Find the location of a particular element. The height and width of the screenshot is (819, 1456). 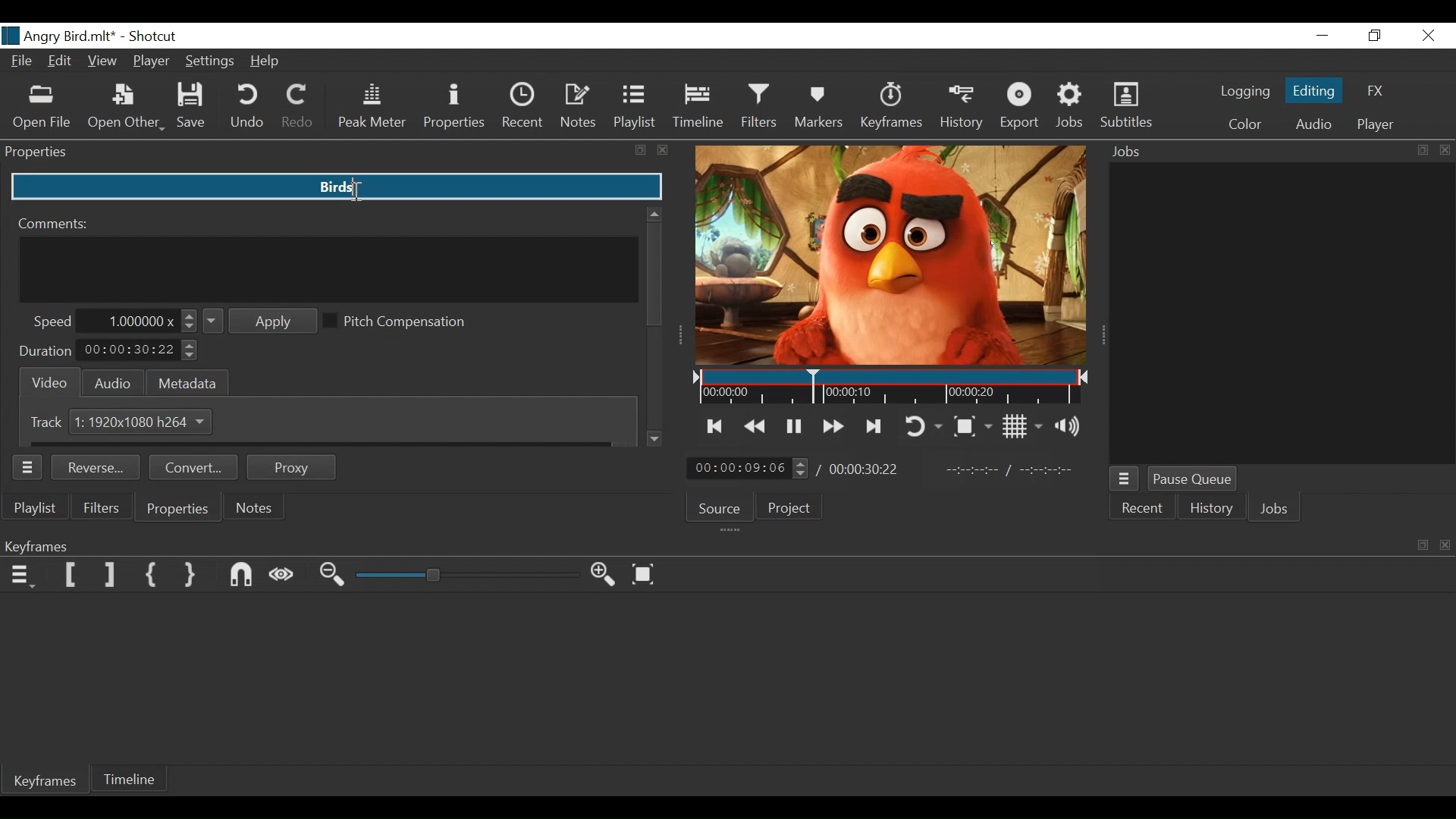

Media Viewer is located at coordinates (890, 257).